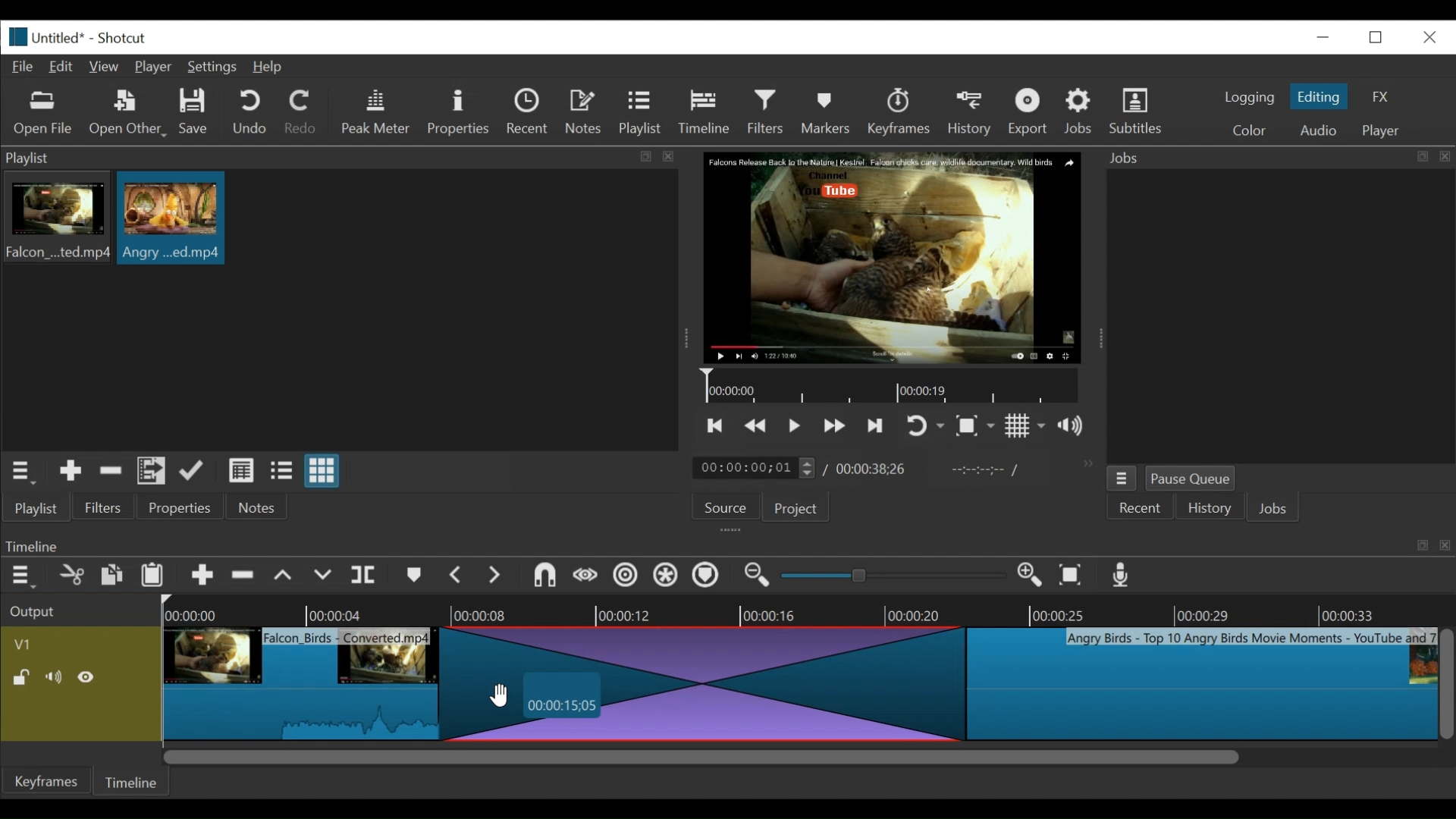 The height and width of the screenshot is (819, 1456). I want to click on Record audio, so click(1122, 579).